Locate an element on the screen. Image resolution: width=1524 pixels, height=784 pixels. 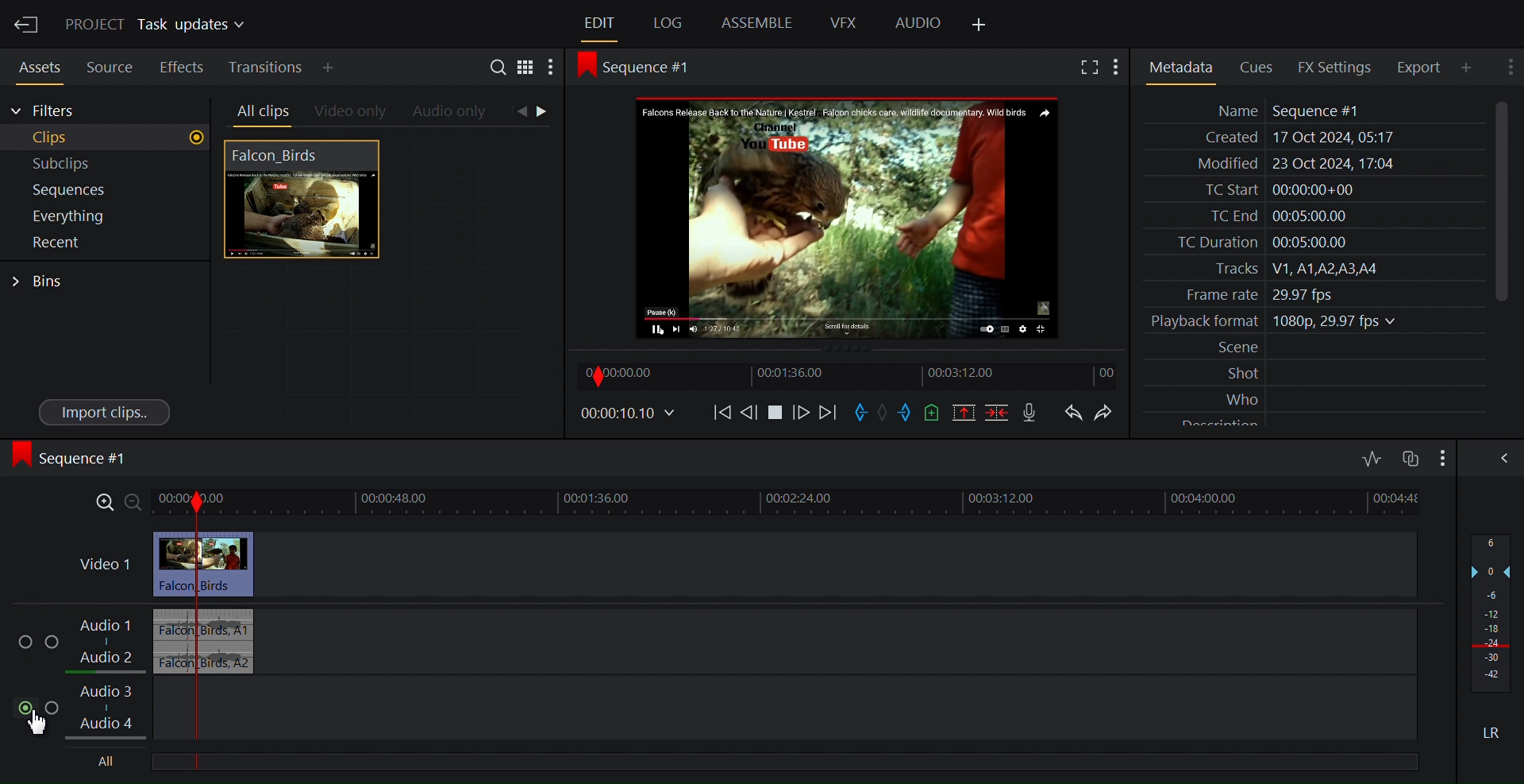
audio 1 is located at coordinates (233, 625).